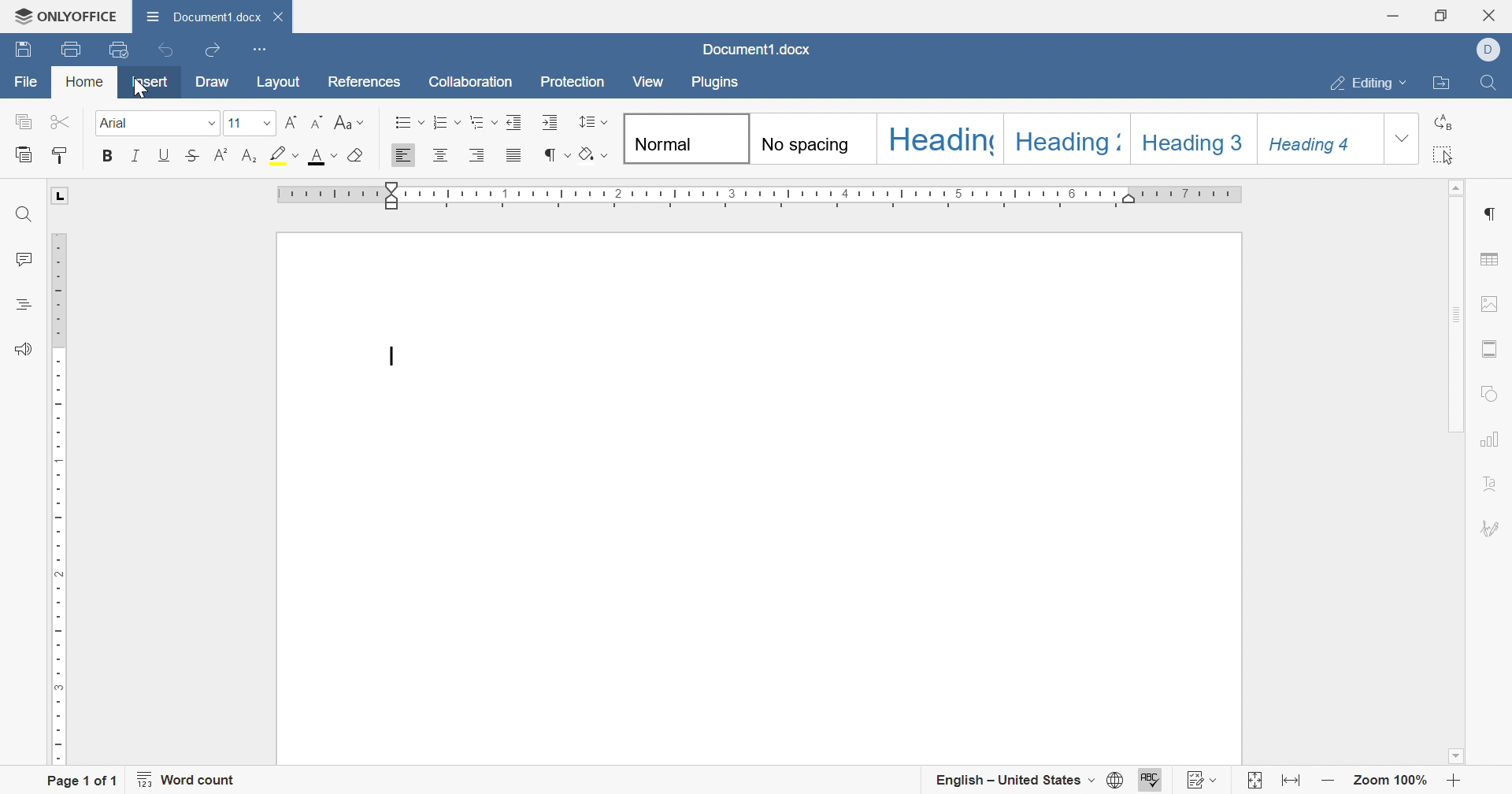  What do you see at coordinates (1491, 15) in the screenshot?
I see `Close` at bounding box center [1491, 15].